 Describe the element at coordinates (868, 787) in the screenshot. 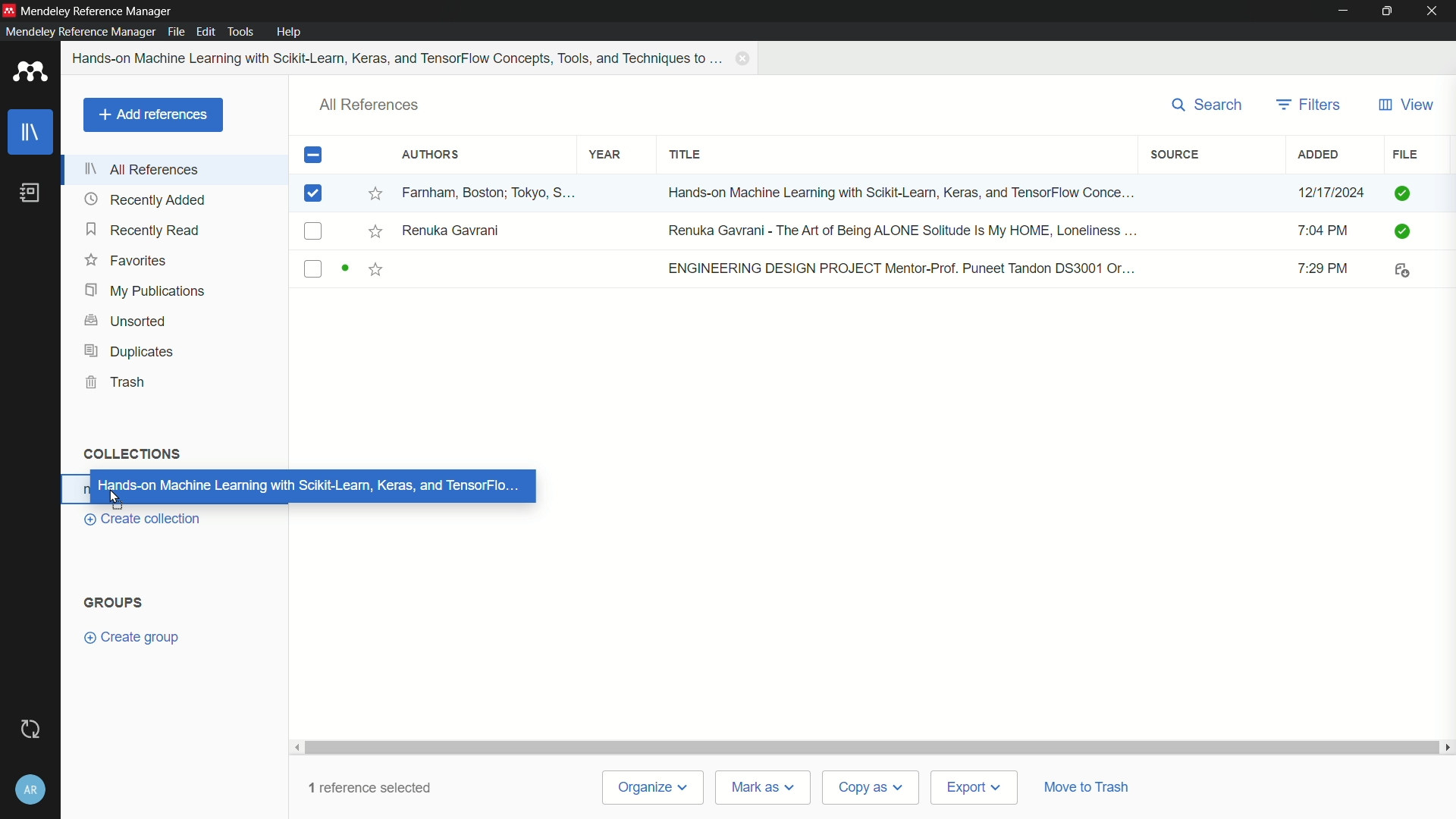

I see `copy as` at that location.